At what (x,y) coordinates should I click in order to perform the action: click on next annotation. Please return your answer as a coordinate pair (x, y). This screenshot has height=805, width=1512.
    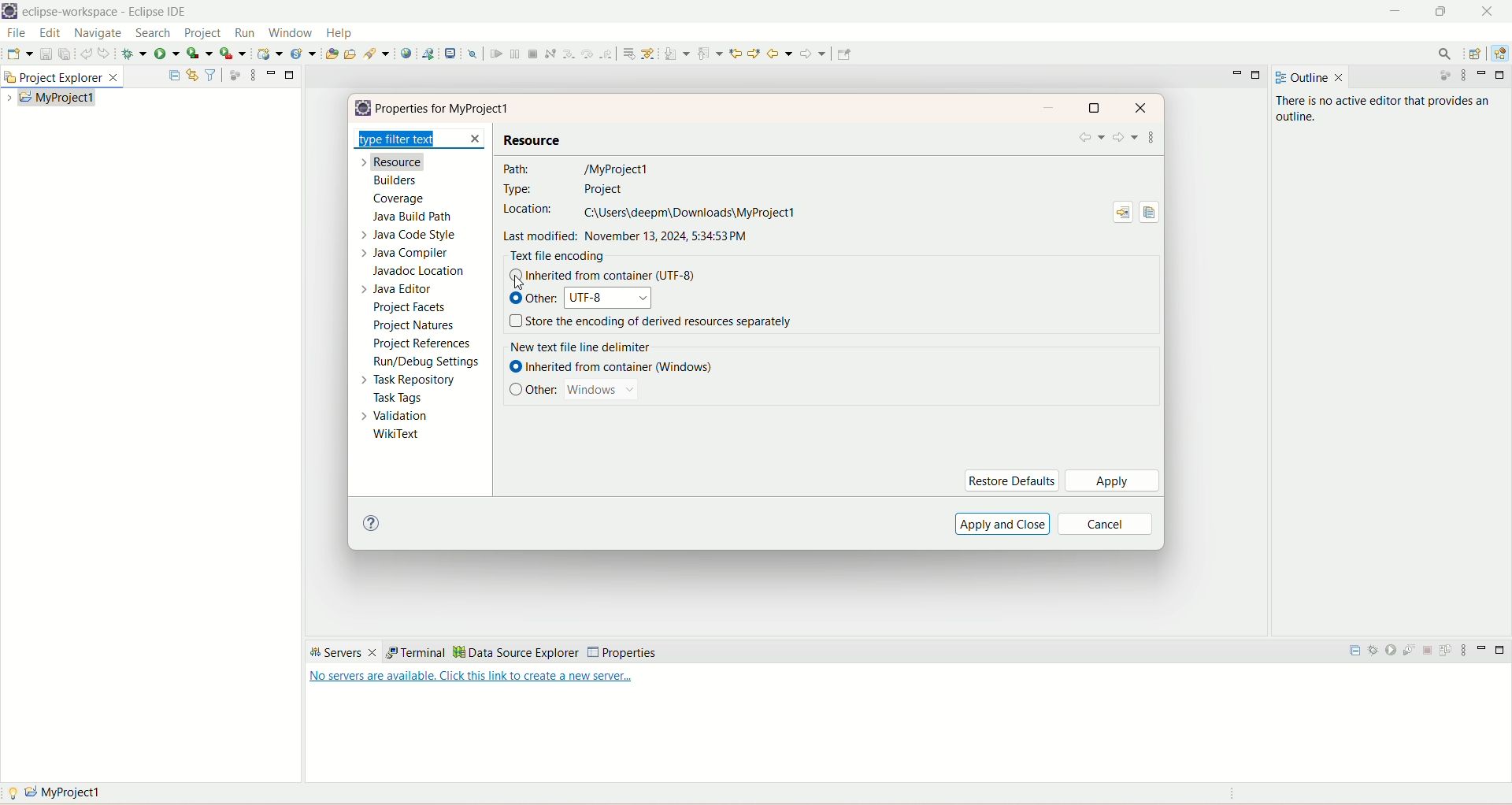
    Looking at the image, I should click on (678, 55).